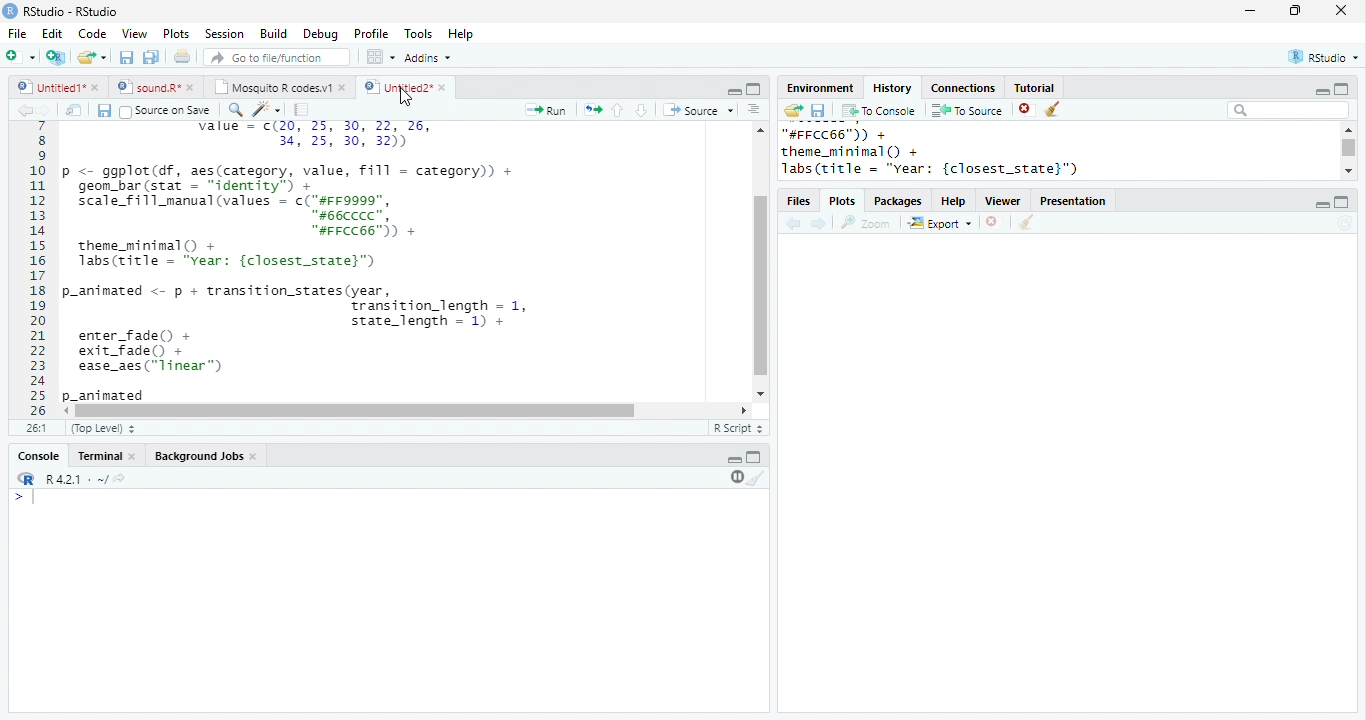 Image resolution: width=1366 pixels, height=720 pixels. Describe the element at coordinates (75, 111) in the screenshot. I see `show in new window` at that location.